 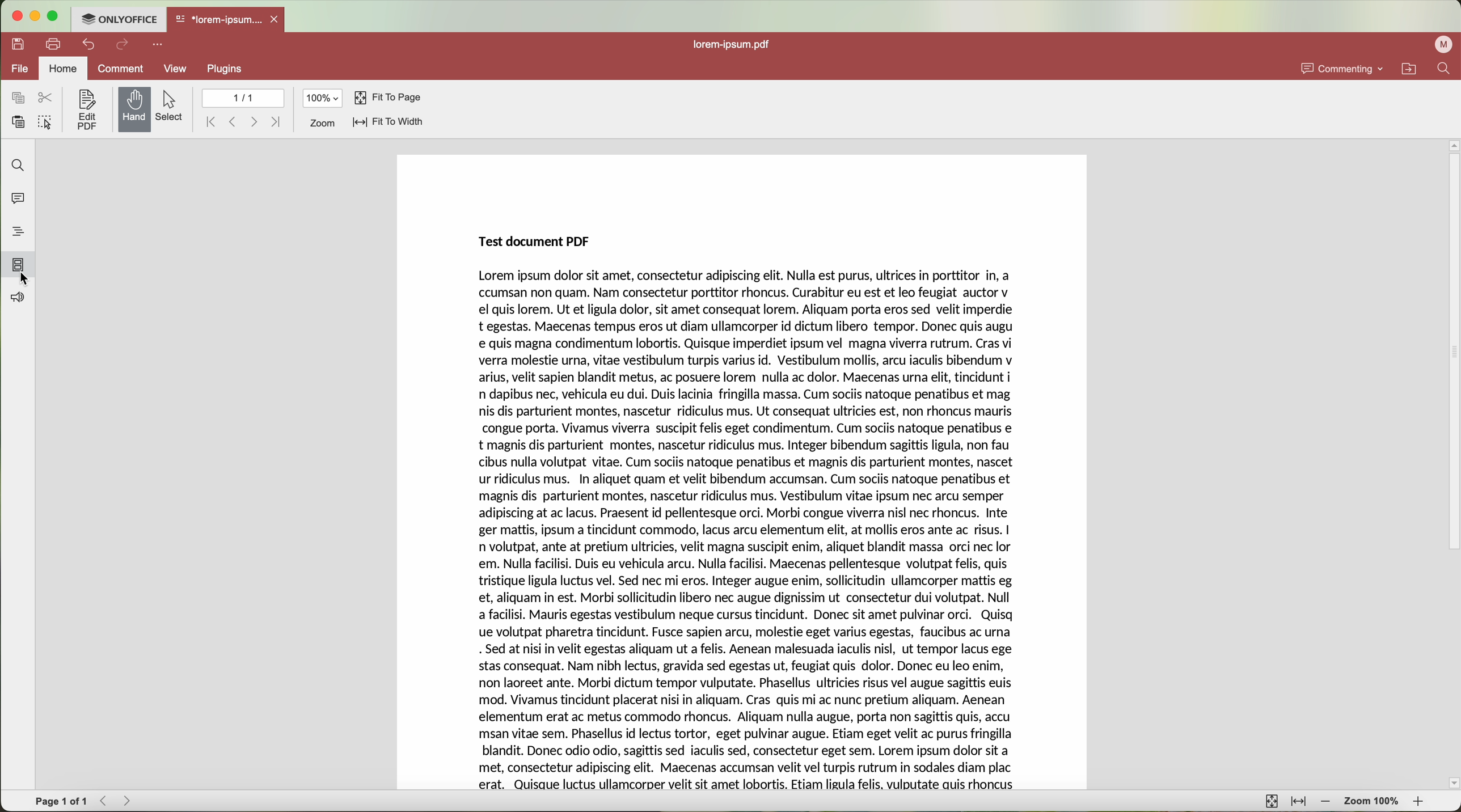 What do you see at coordinates (18, 264) in the screenshot?
I see `click on page thumbnails` at bounding box center [18, 264].